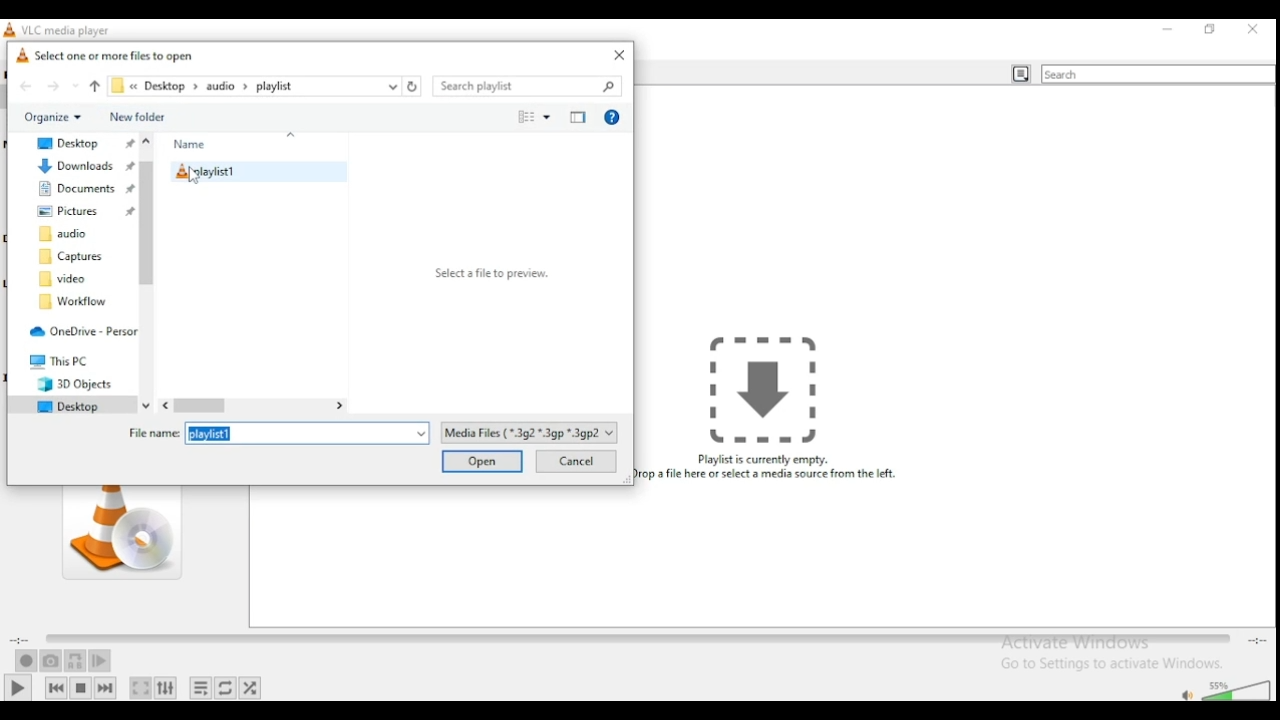 Image resolution: width=1280 pixels, height=720 pixels. Describe the element at coordinates (528, 85) in the screenshot. I see `search bar` at that location.